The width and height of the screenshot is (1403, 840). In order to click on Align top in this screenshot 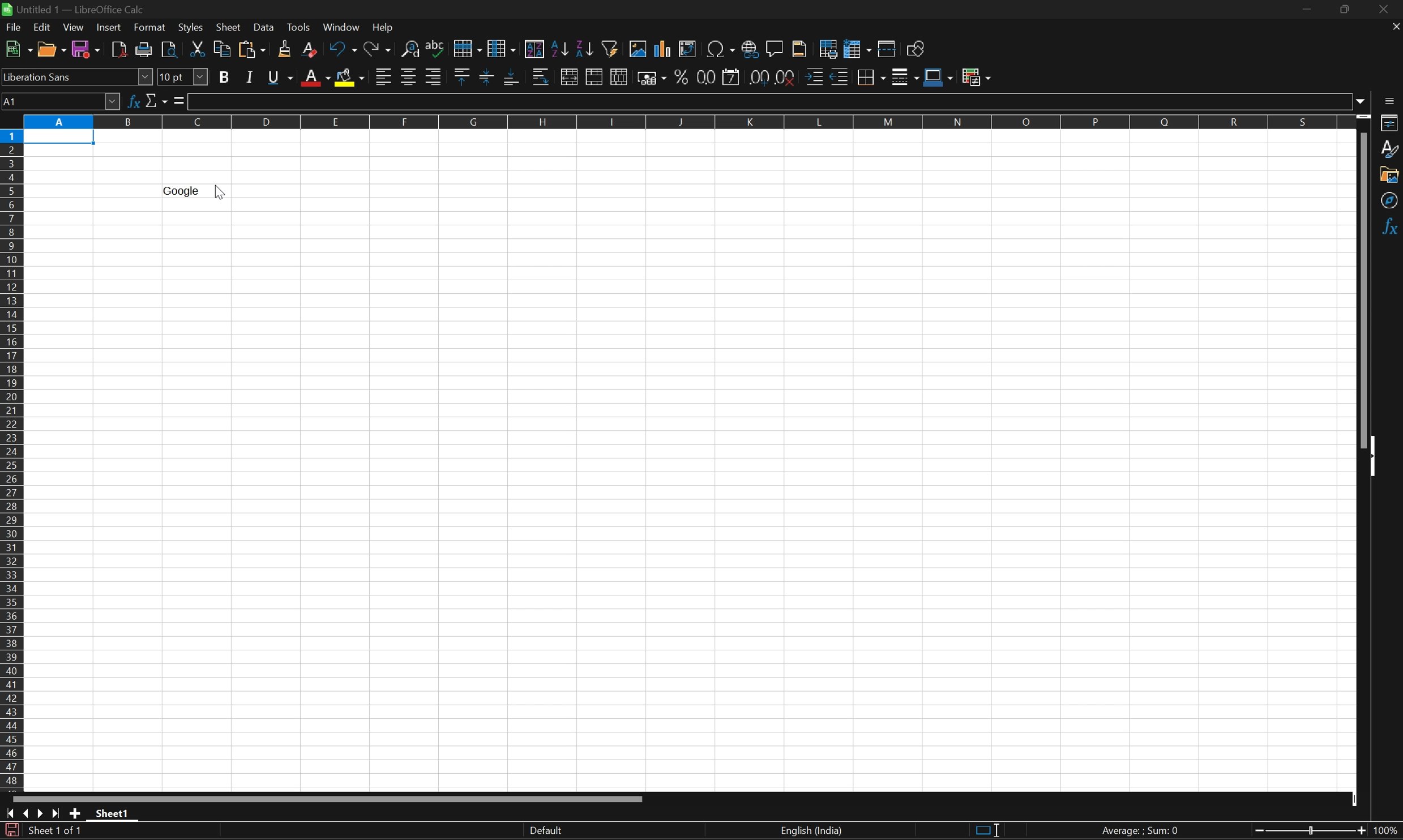, I will do `click(463, 74)`.